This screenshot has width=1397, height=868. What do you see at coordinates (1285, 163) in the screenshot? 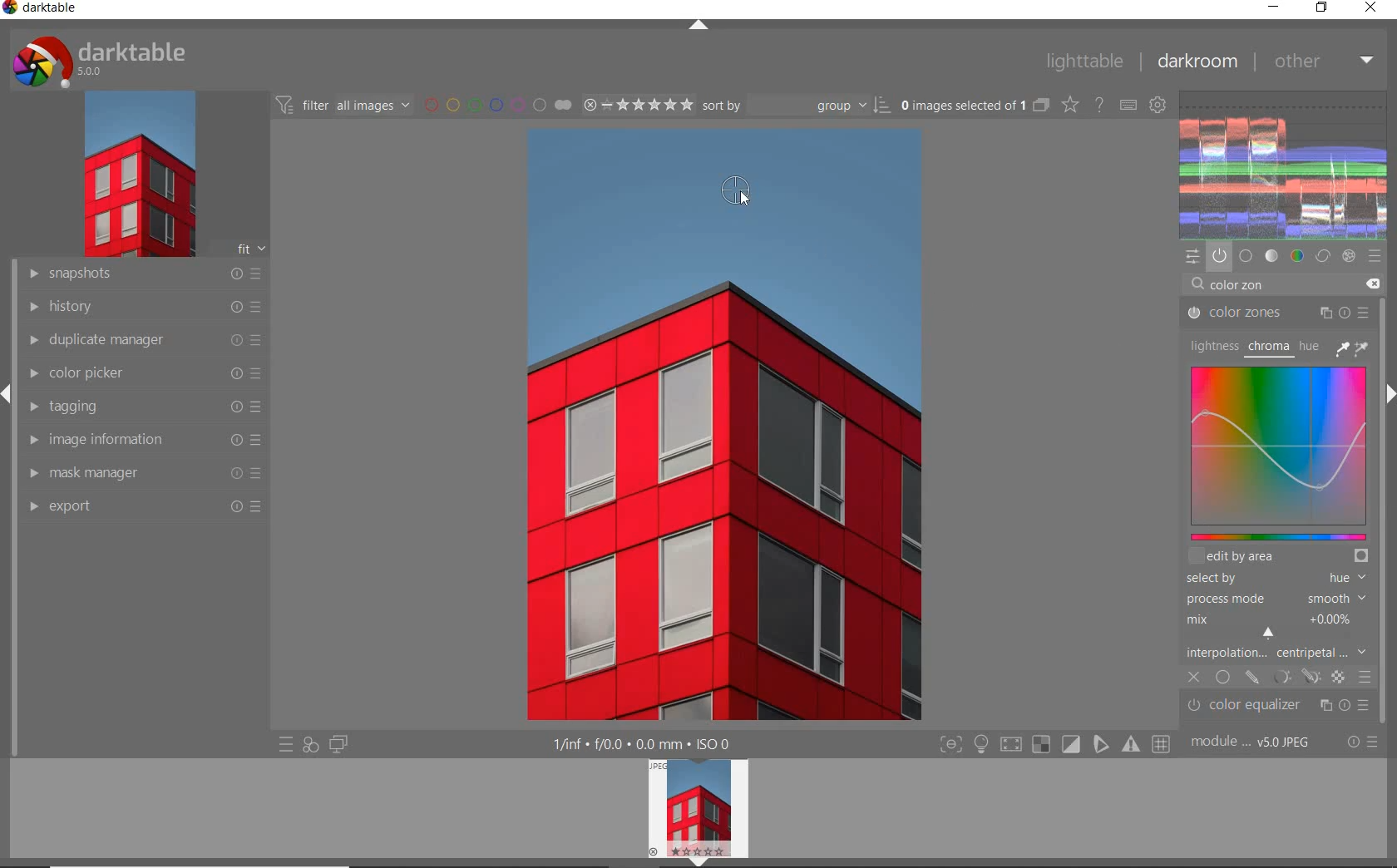
I see `waveform` at bounding box center [1285, 163].